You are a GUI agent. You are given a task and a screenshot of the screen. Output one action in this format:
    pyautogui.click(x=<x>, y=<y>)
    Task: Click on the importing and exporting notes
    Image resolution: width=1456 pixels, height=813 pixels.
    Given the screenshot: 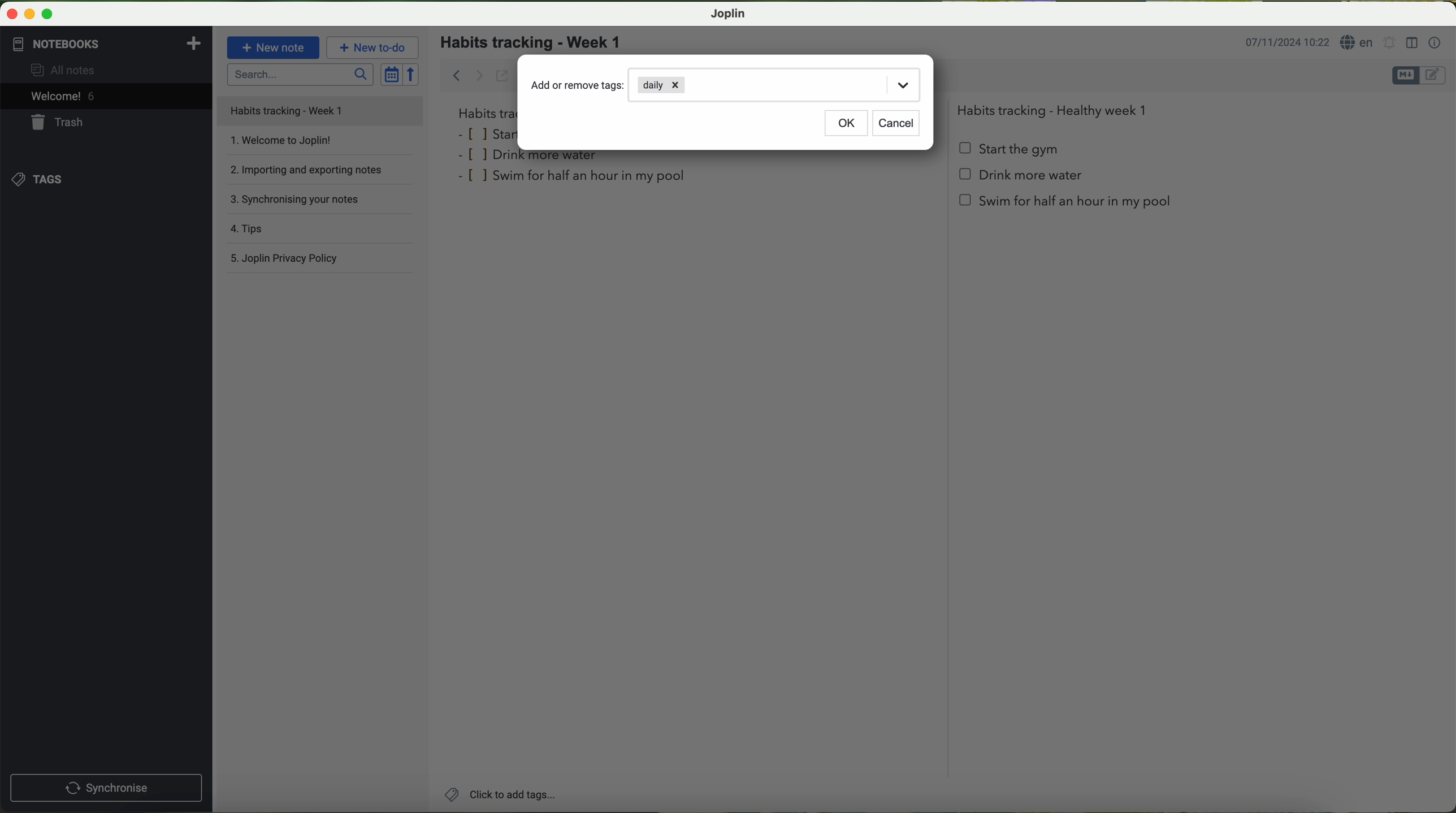 What is the action you would take?
    pyautogui.click(x=319, y=174)
    